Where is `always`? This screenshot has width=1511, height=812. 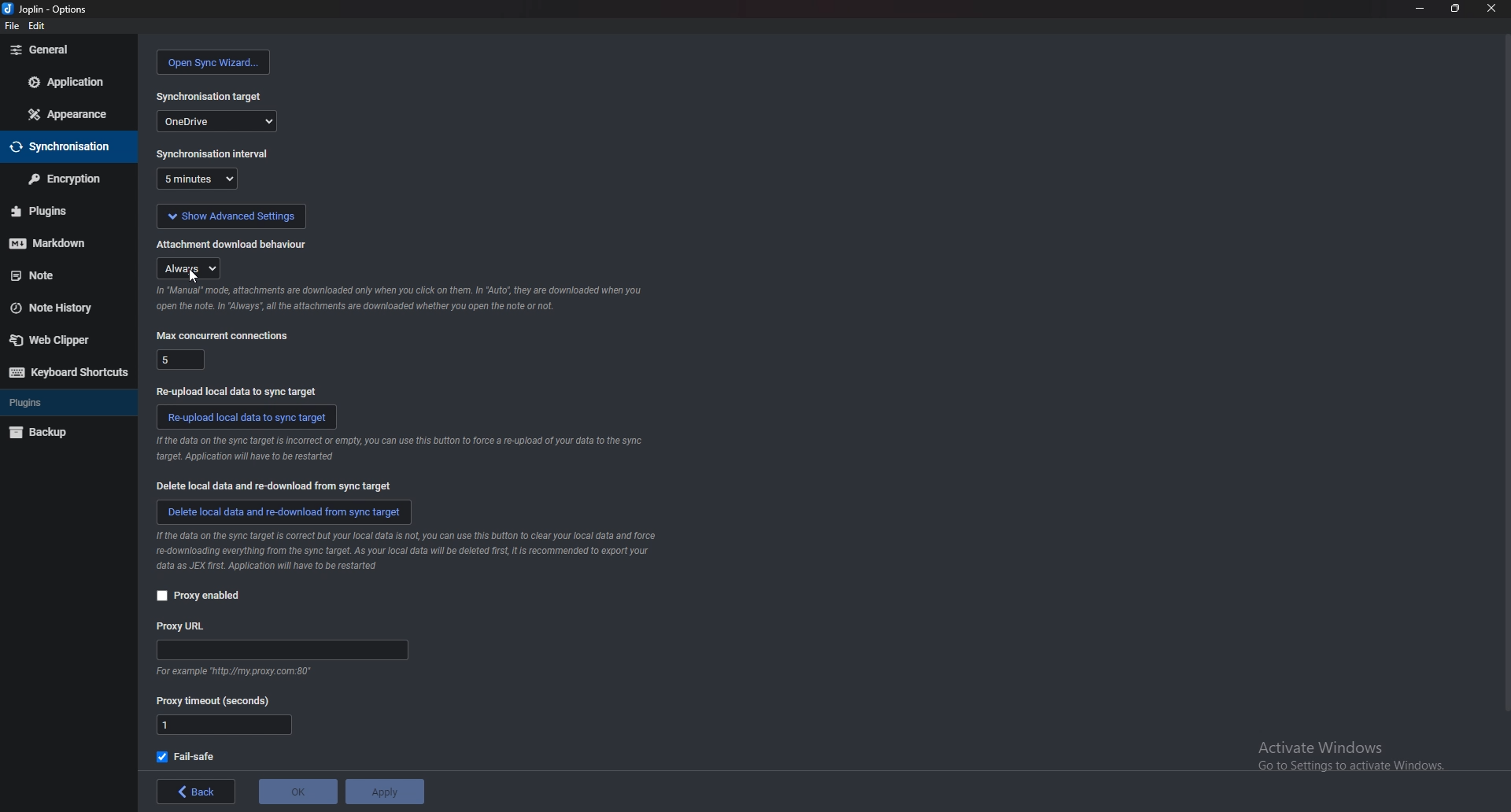 always is located at coordinates (190, 269).